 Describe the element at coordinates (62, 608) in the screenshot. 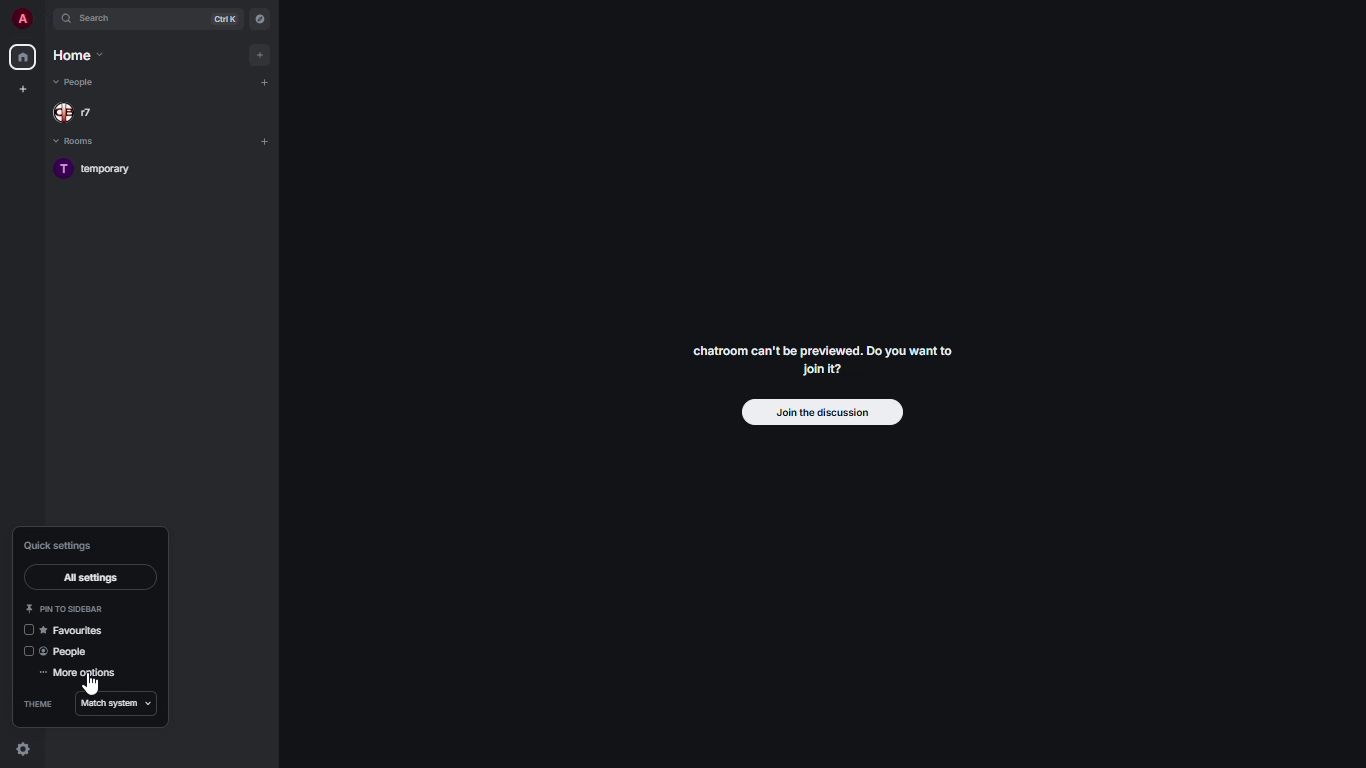

I see `pin to sidebar` at that location.